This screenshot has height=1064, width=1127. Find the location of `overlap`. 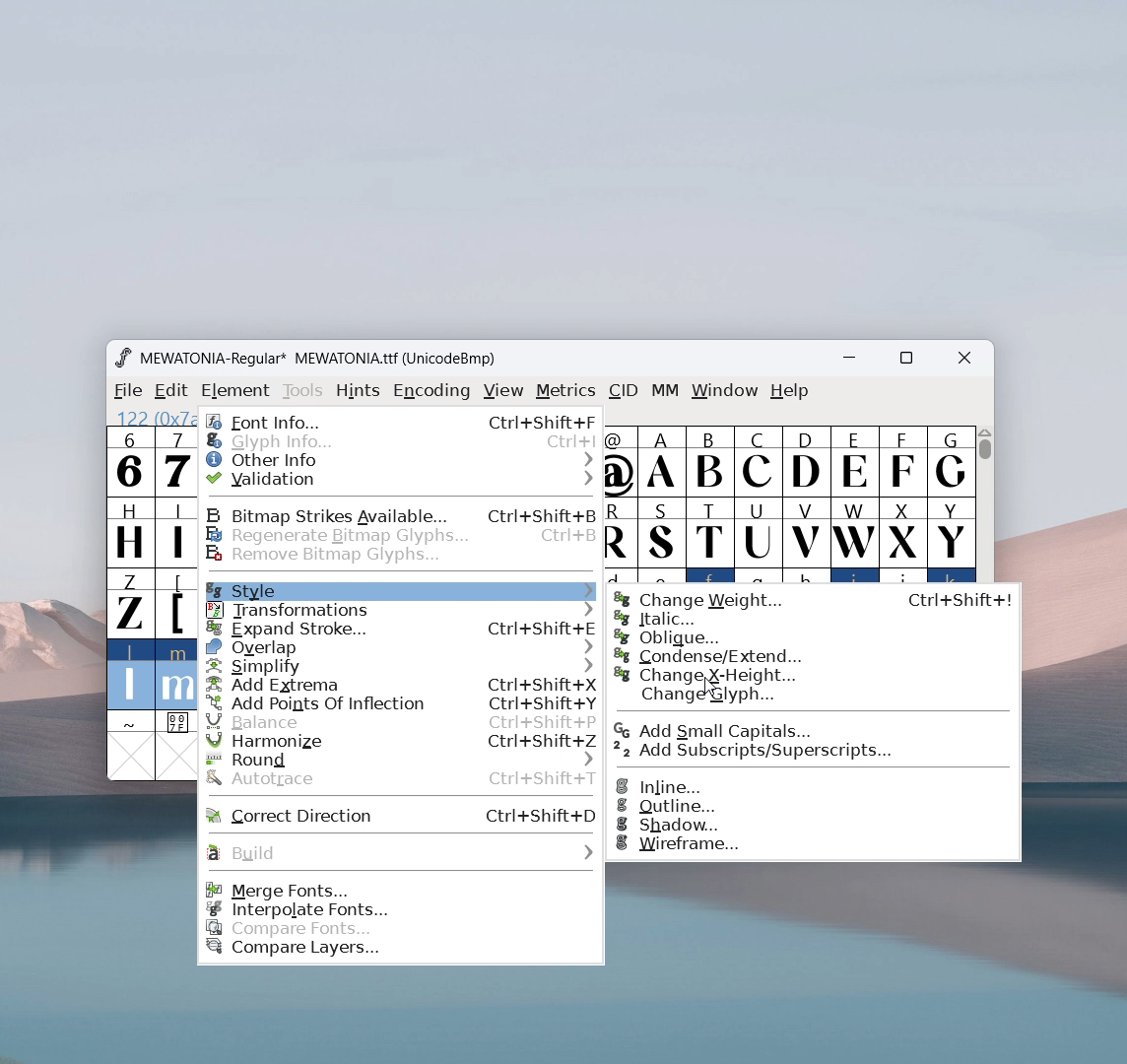

overlap is located at coordinates (401, 648).